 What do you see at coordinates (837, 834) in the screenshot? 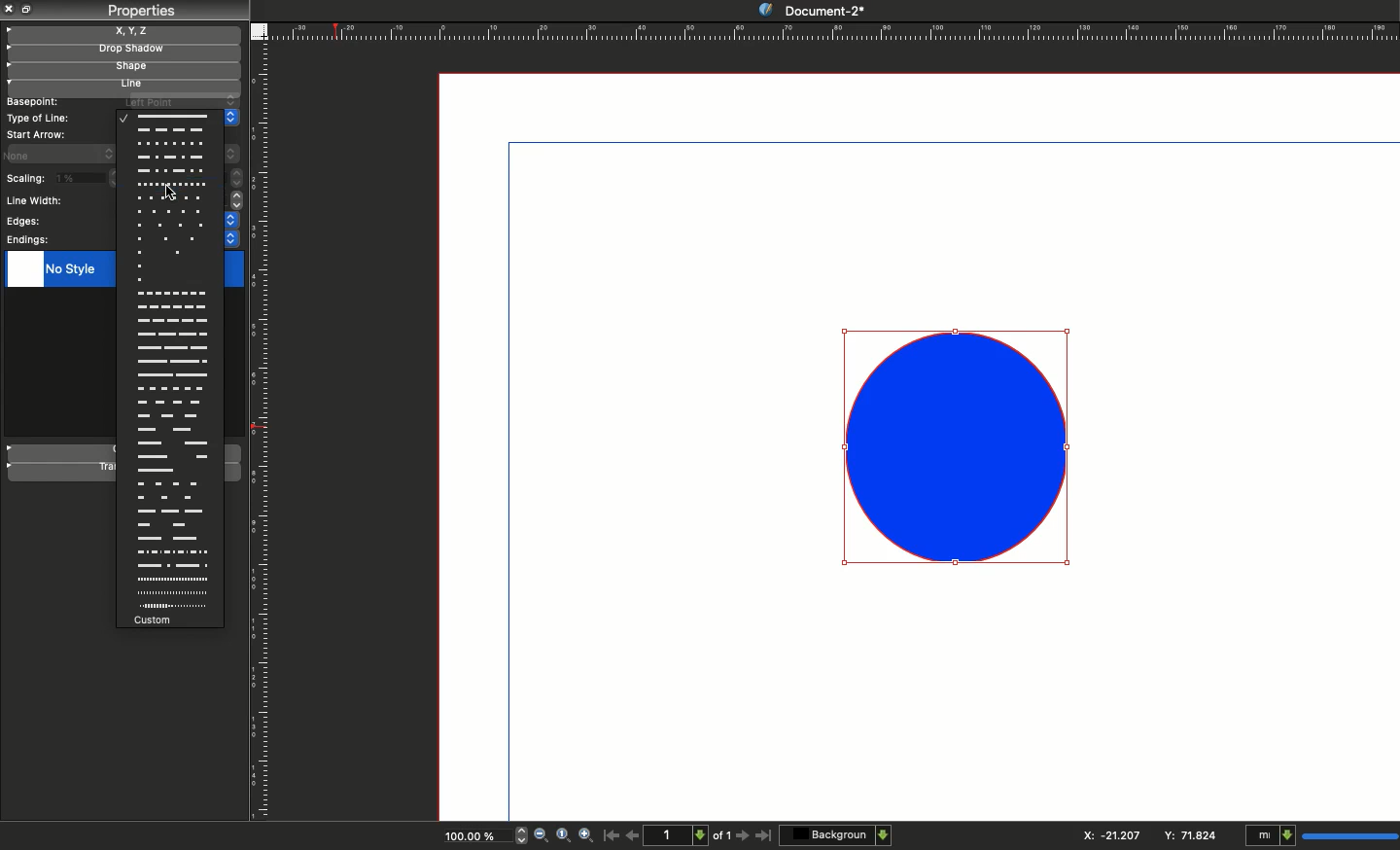
I see `Background` at bounding box center [837, 834].